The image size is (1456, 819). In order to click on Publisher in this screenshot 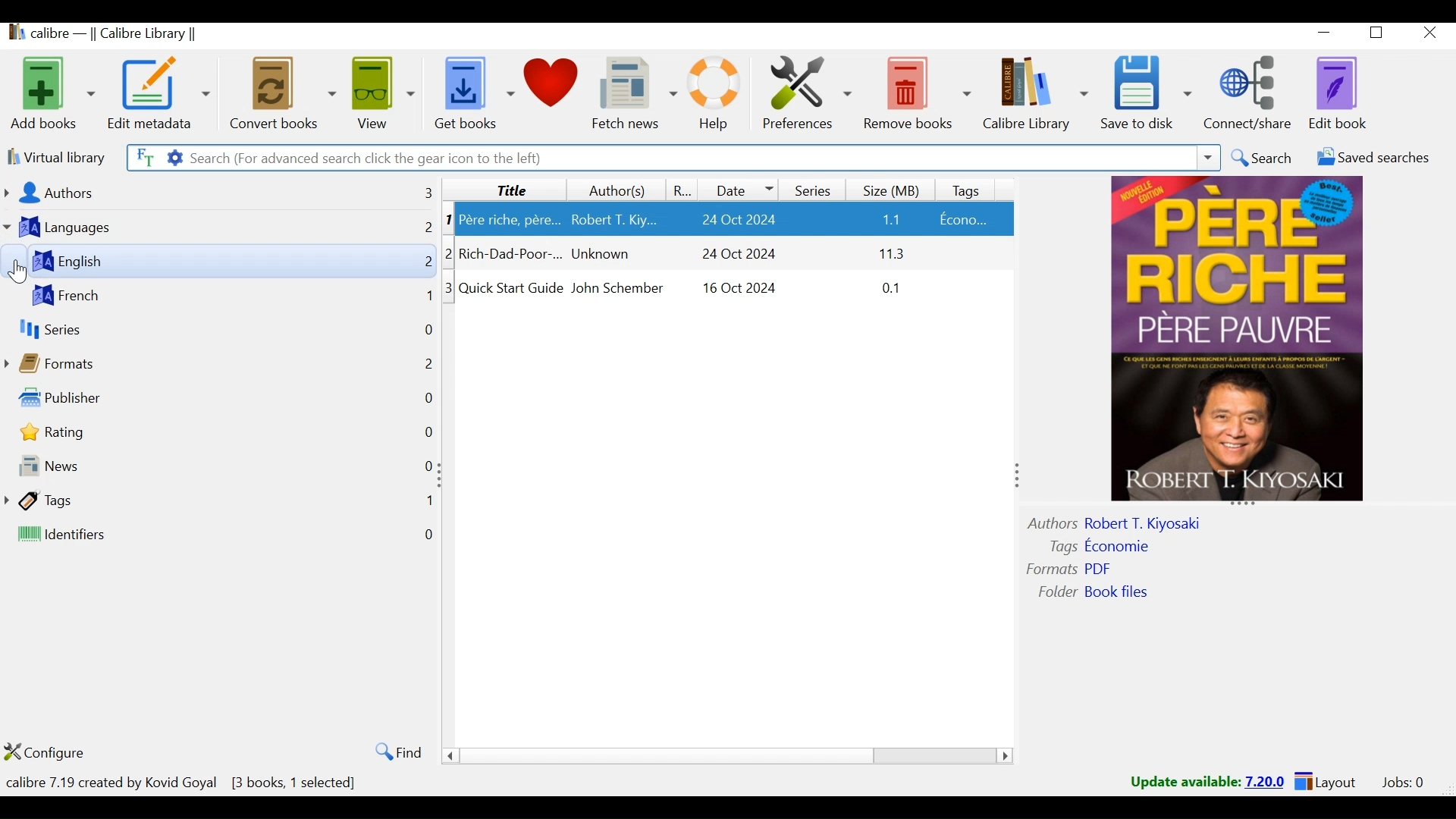, I will do `click(105, 397)`.